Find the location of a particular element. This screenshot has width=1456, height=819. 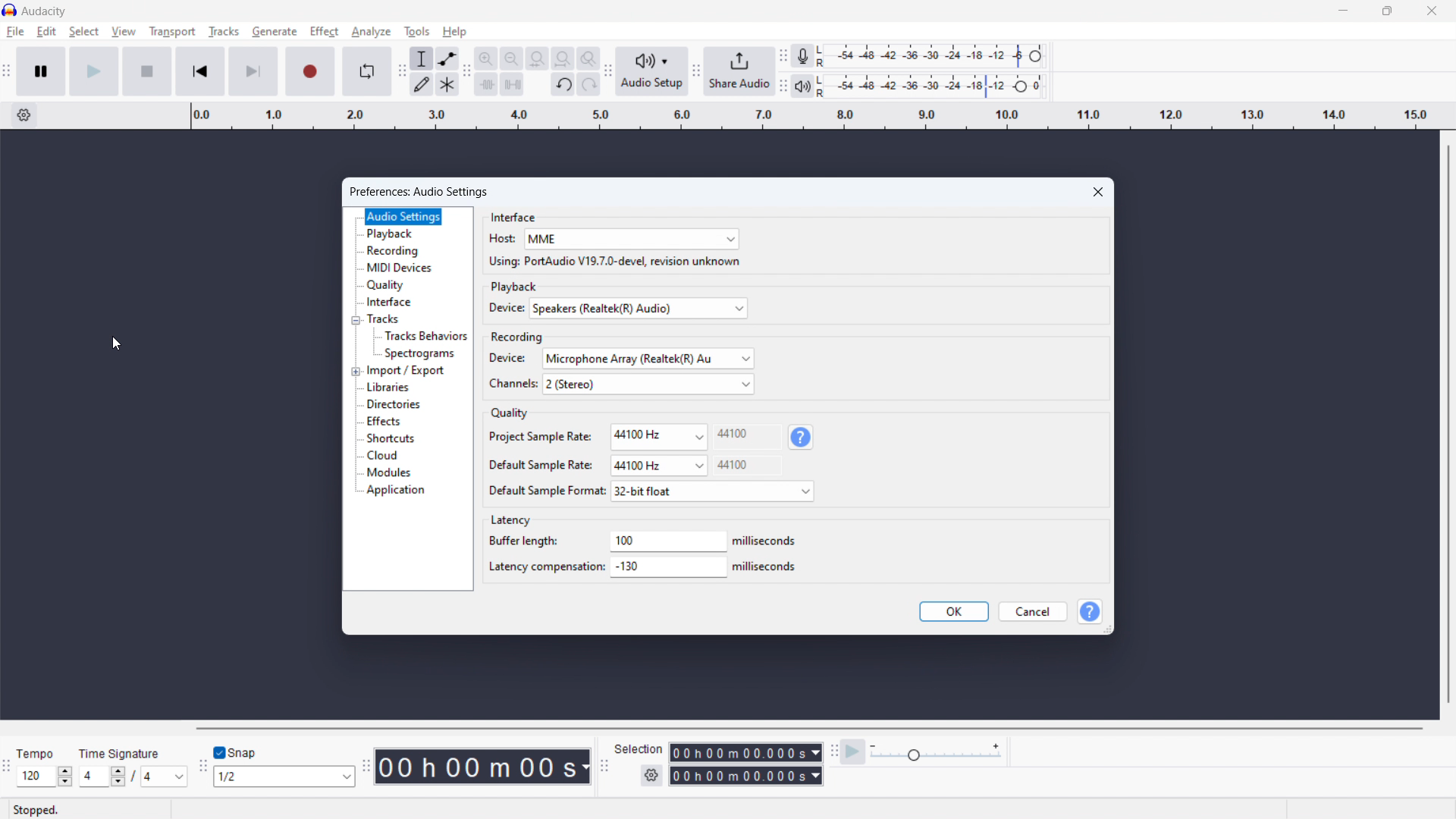

interface is located at coordinates (515, 216).